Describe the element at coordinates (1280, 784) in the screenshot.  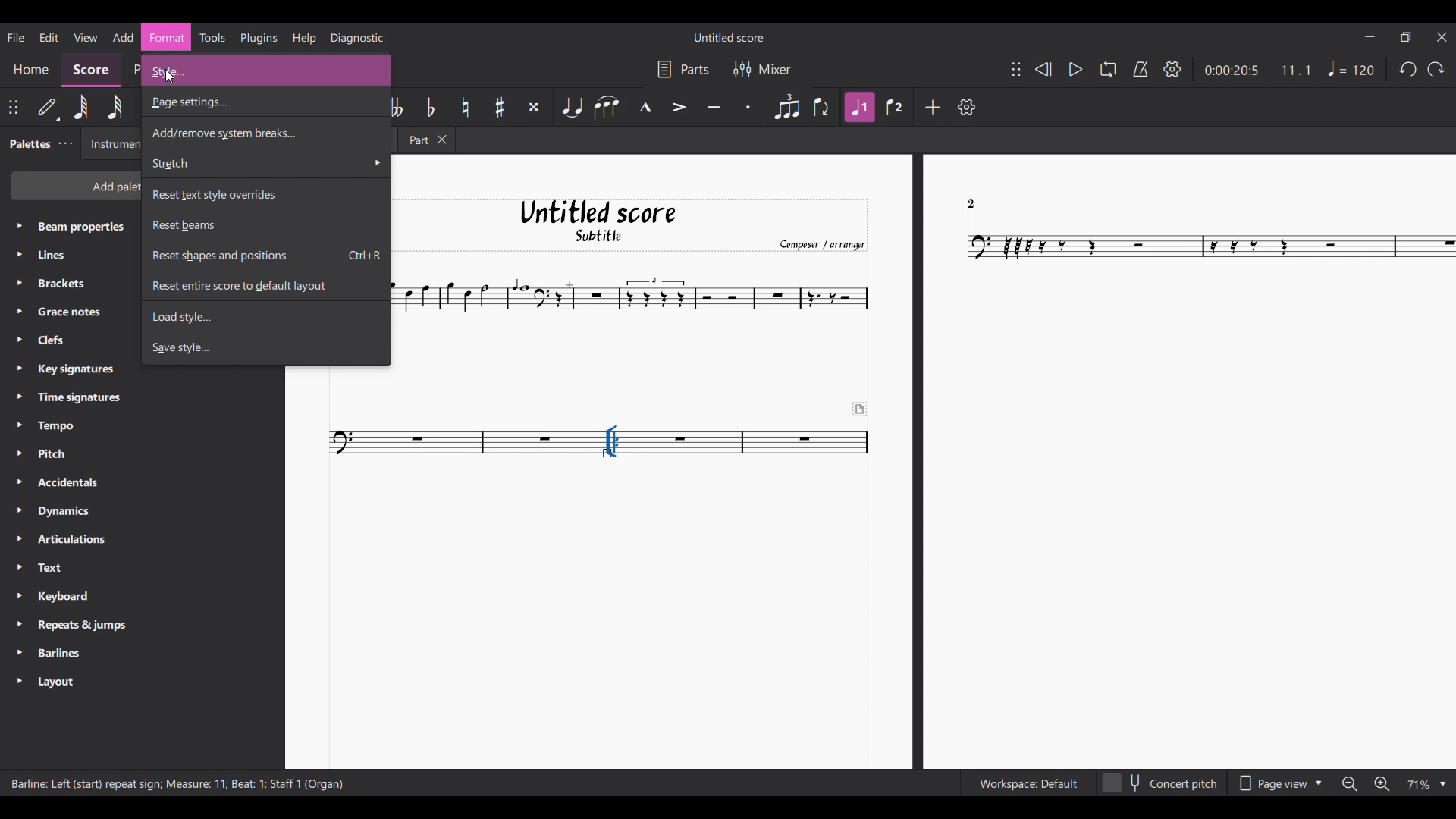
I see `Page view options` at that location.